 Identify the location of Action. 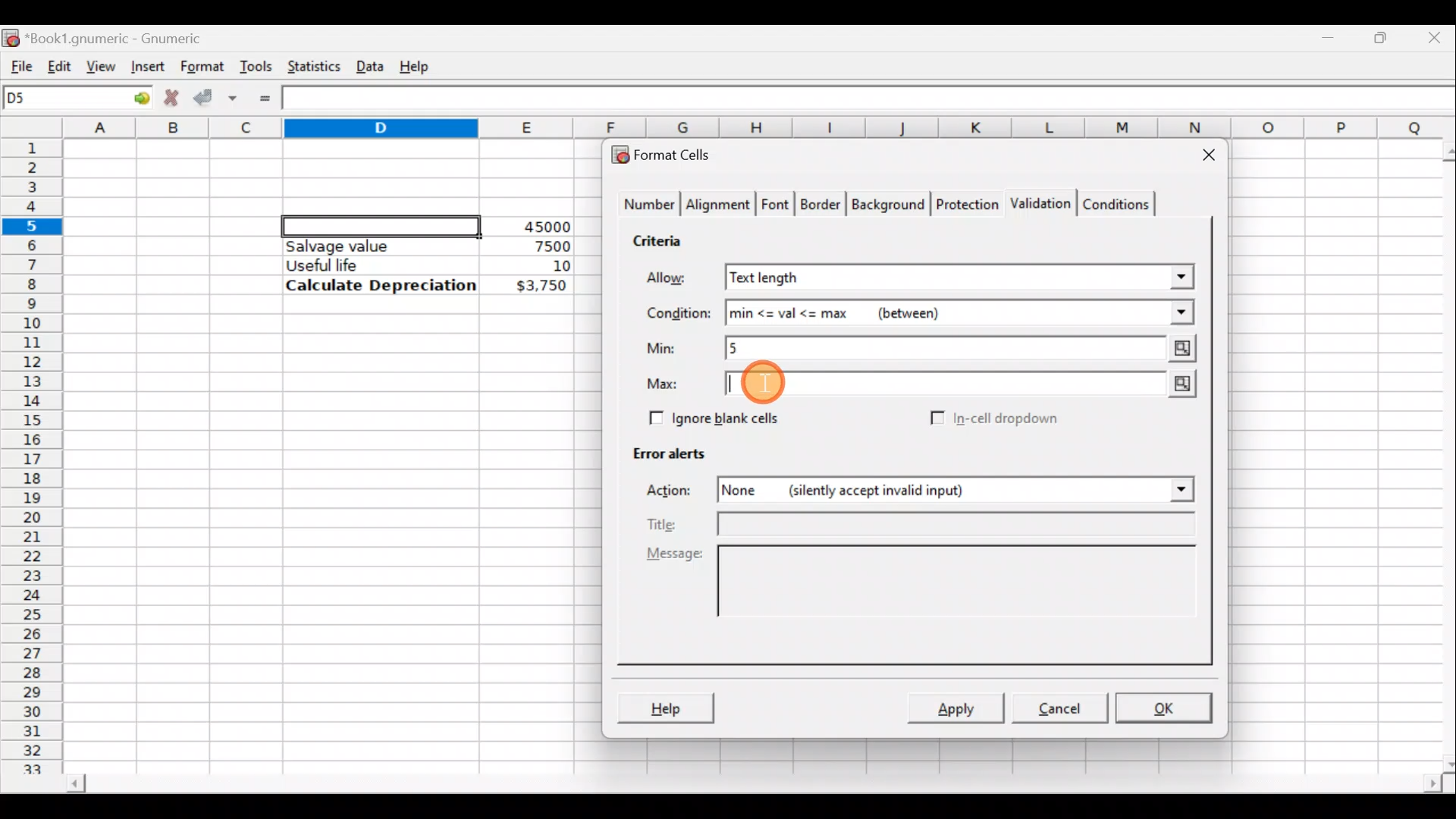
(678, 493).